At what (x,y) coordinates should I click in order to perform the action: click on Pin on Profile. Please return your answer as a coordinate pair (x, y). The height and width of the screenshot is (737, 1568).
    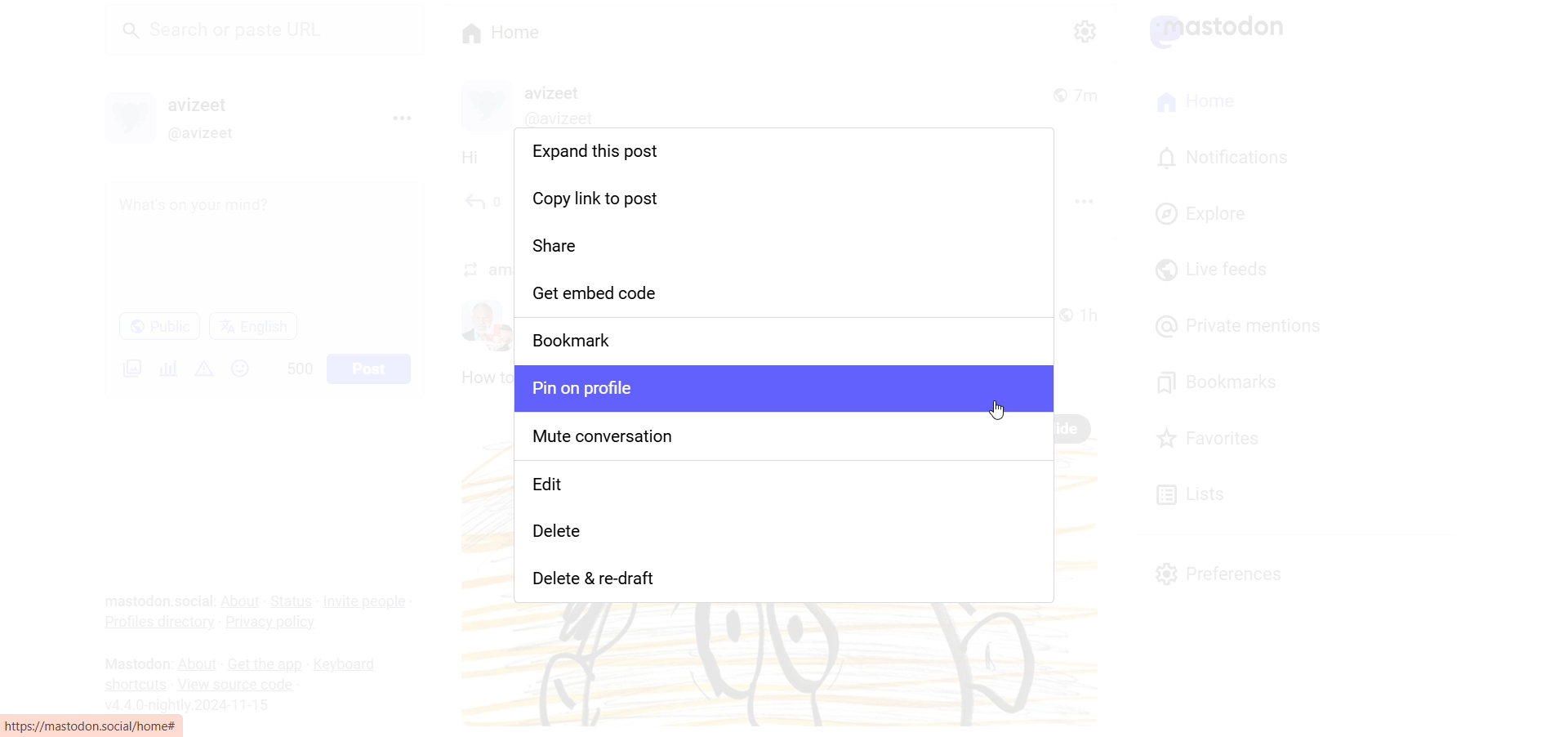
    Looking at the image, I should click on (779, 387).